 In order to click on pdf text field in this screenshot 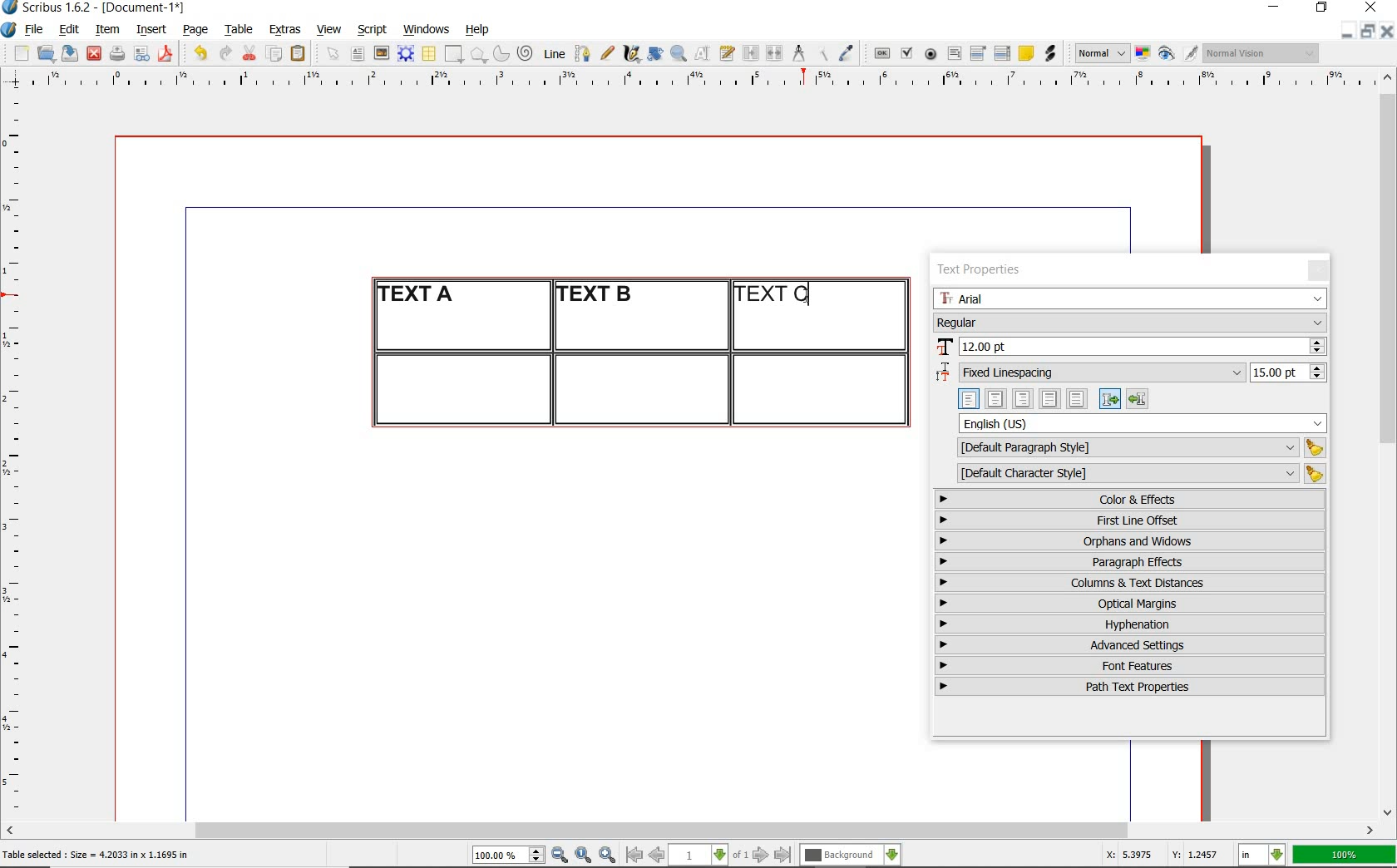, I will do `click(954, 55)`.